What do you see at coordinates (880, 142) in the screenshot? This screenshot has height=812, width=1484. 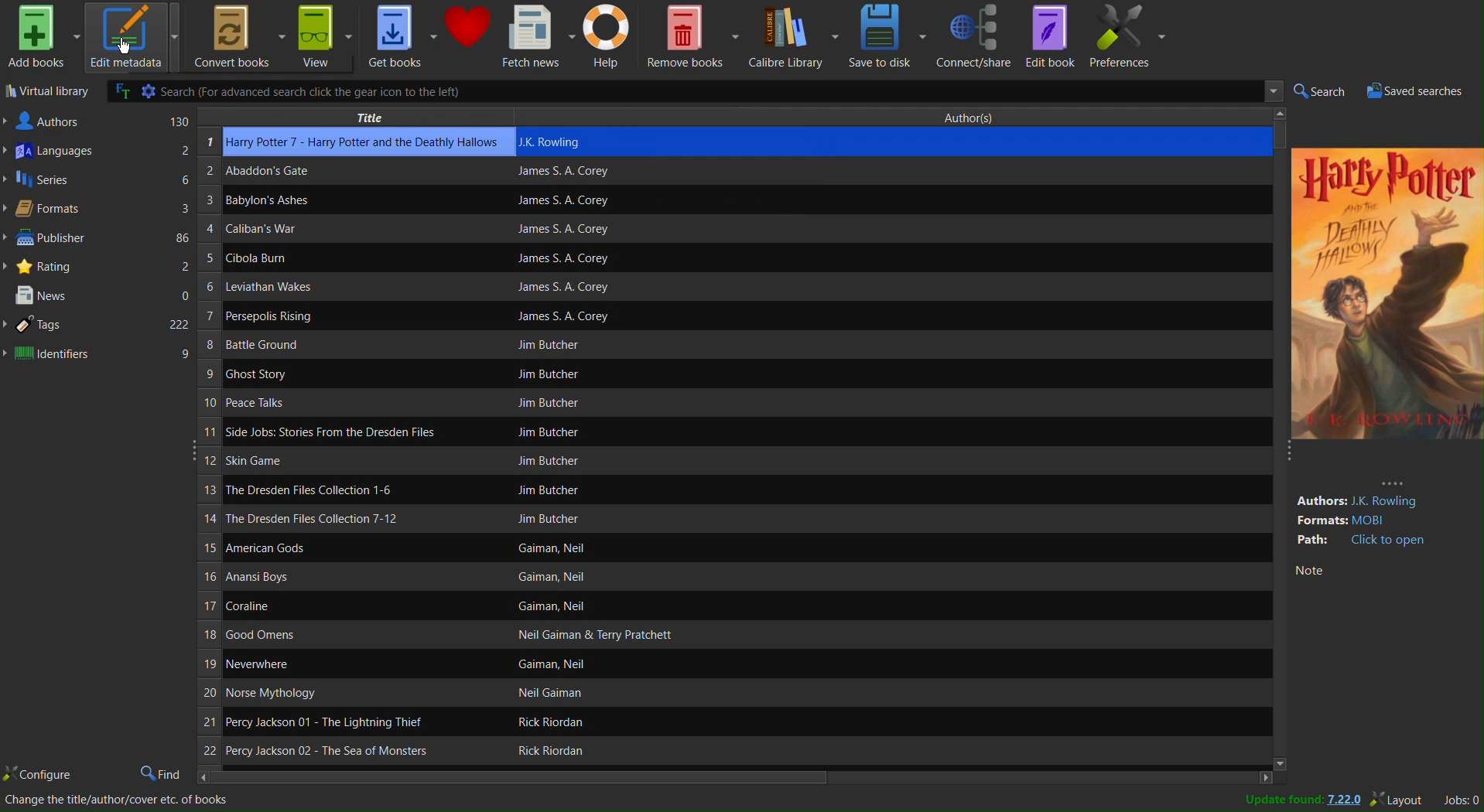 I see `author's name` at bounding box center [880, 142].